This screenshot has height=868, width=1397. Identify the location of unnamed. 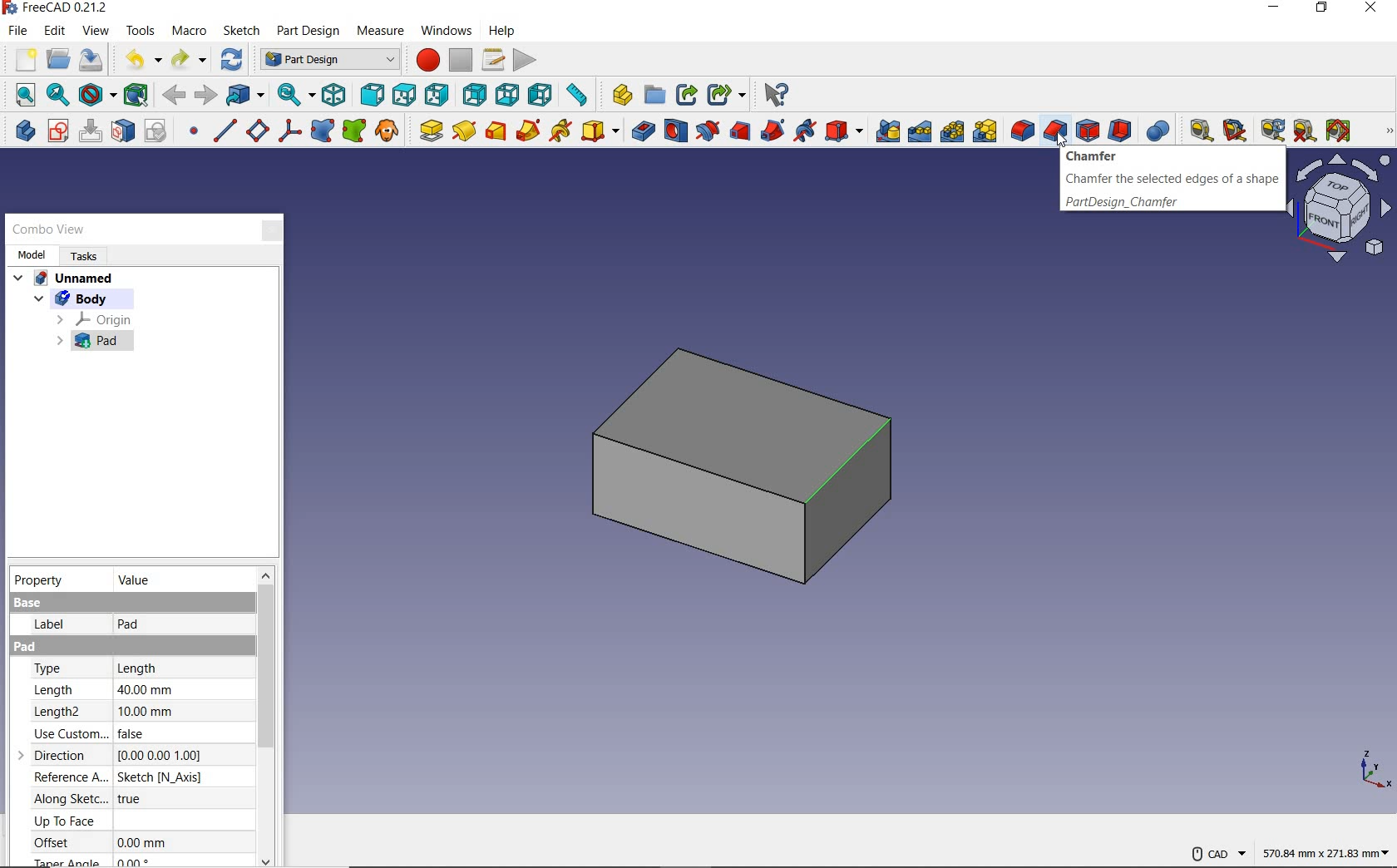
(64, 280).